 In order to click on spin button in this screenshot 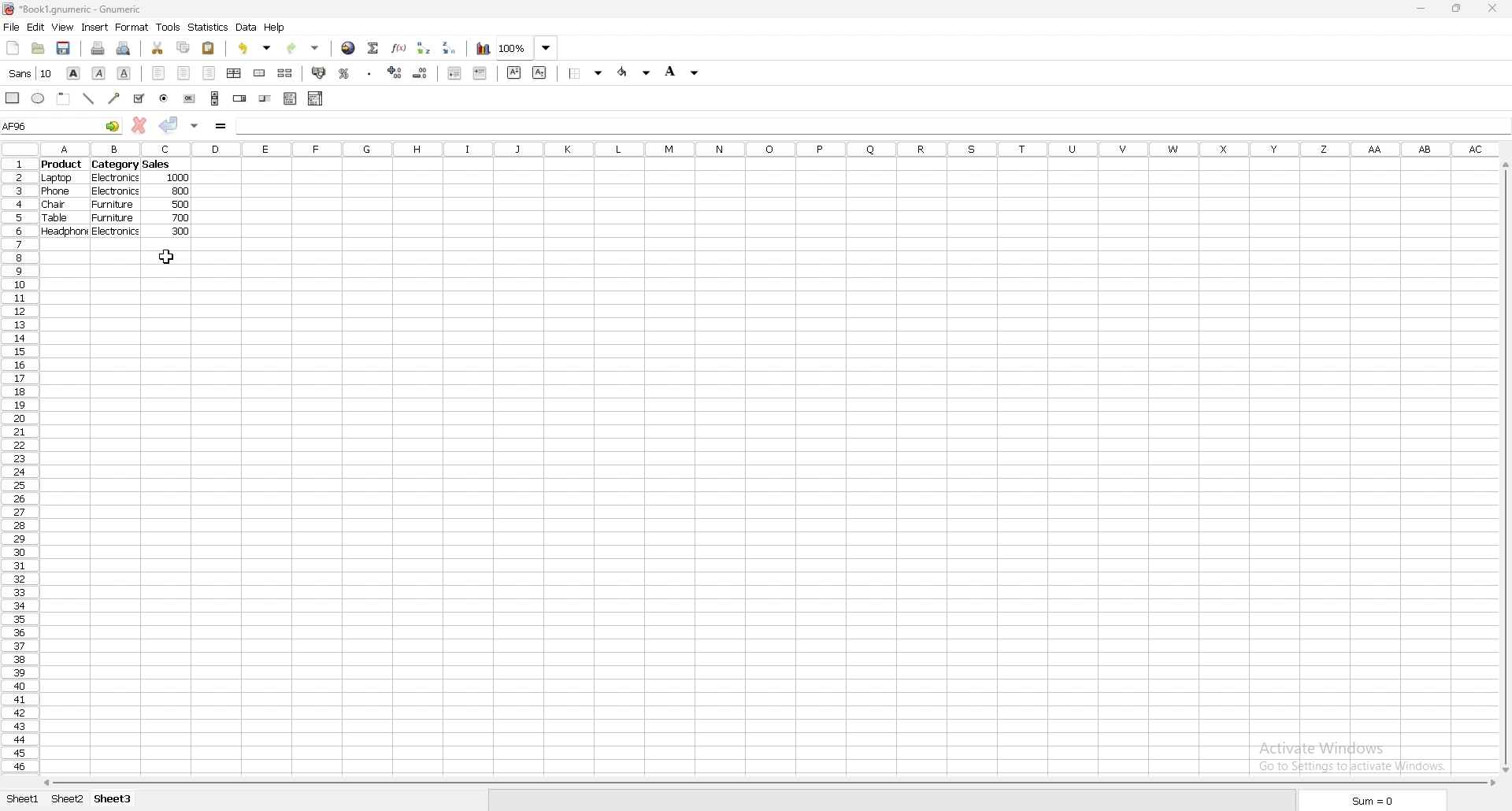, I will do `click(239, 99)`.